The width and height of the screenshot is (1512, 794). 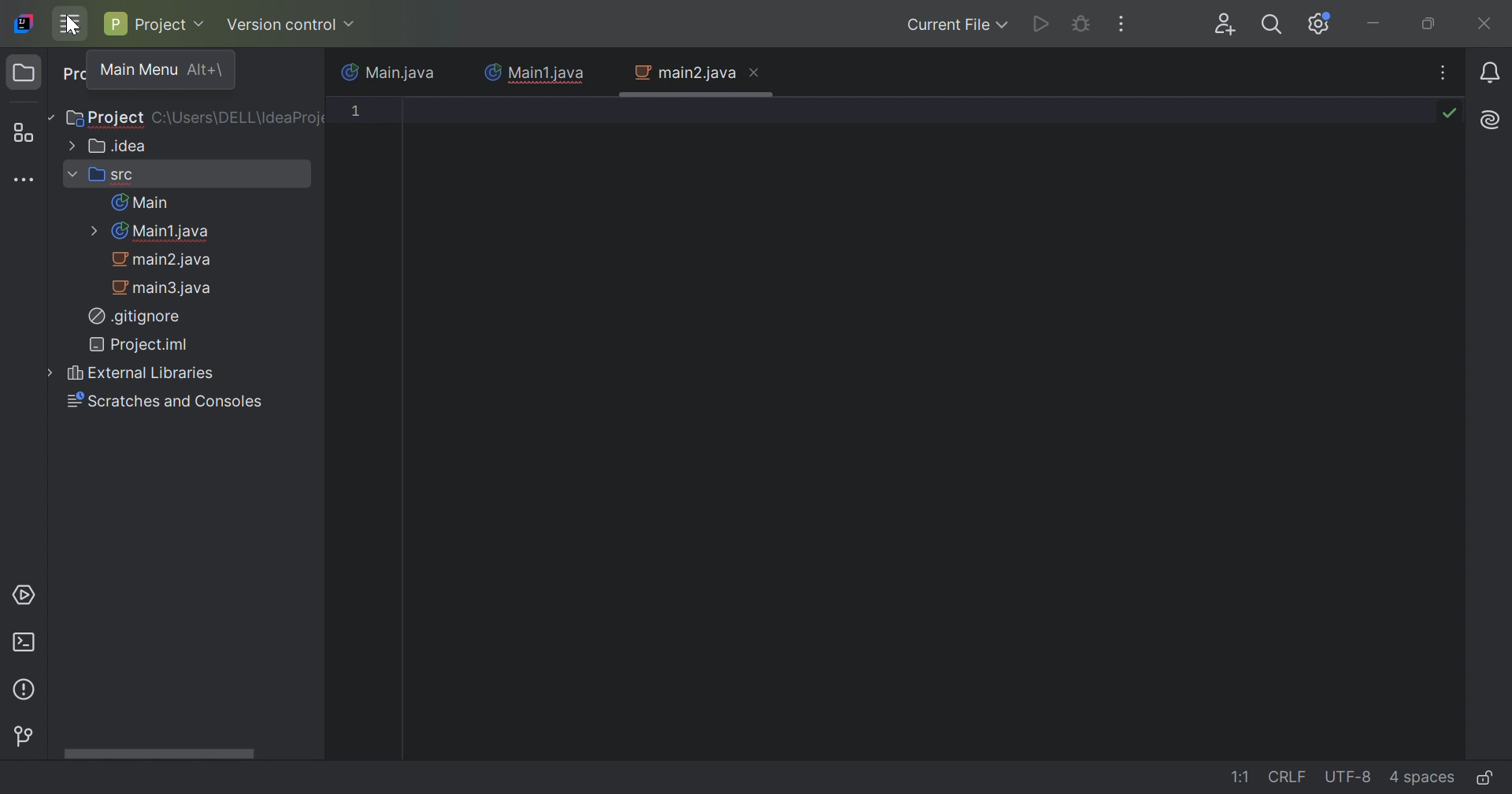 What do you see at coordinates (1486, 24) in the screenshot?
I see `Close` at bounding box center [1486, 24].